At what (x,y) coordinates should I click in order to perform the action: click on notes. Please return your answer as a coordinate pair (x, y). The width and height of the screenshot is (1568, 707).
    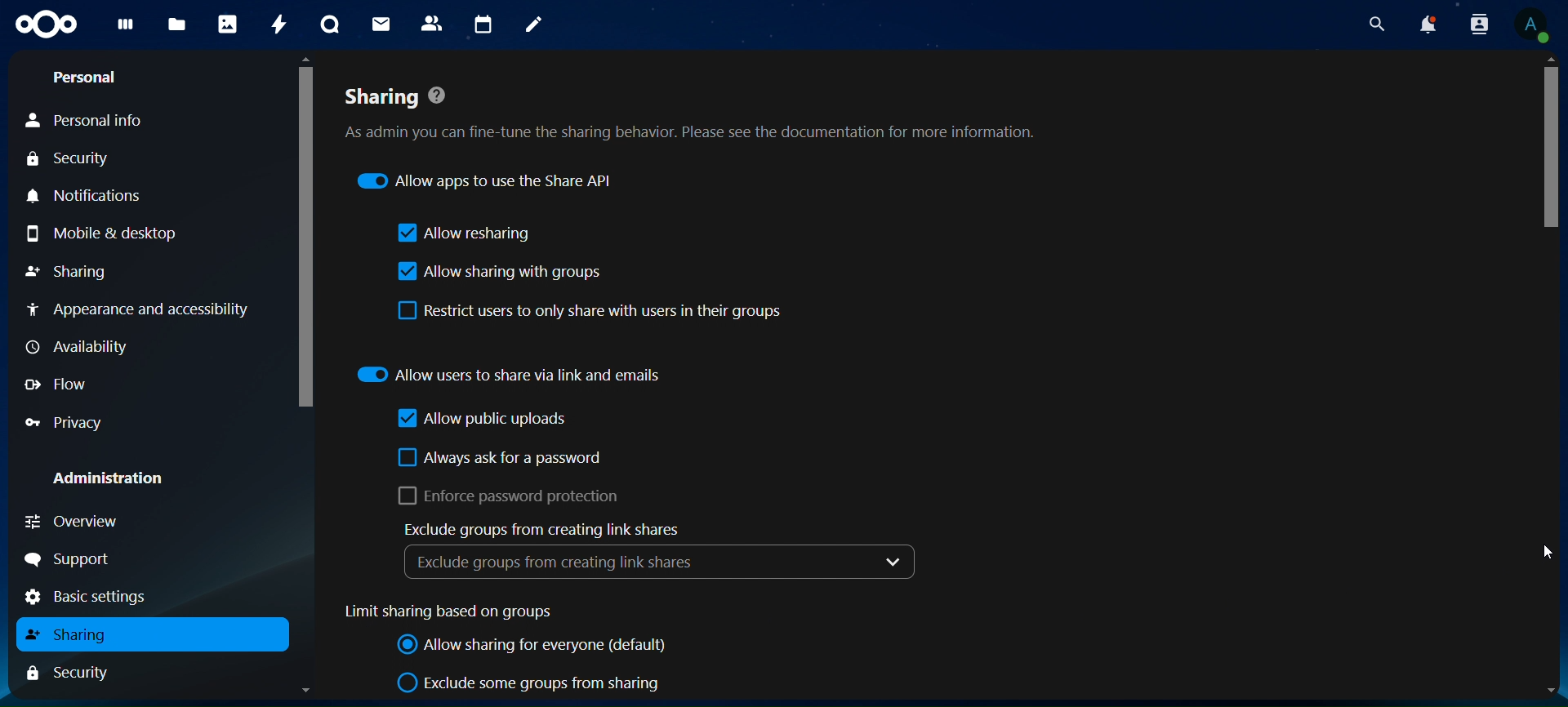
    Looking at the image, I should click on (532, 26).